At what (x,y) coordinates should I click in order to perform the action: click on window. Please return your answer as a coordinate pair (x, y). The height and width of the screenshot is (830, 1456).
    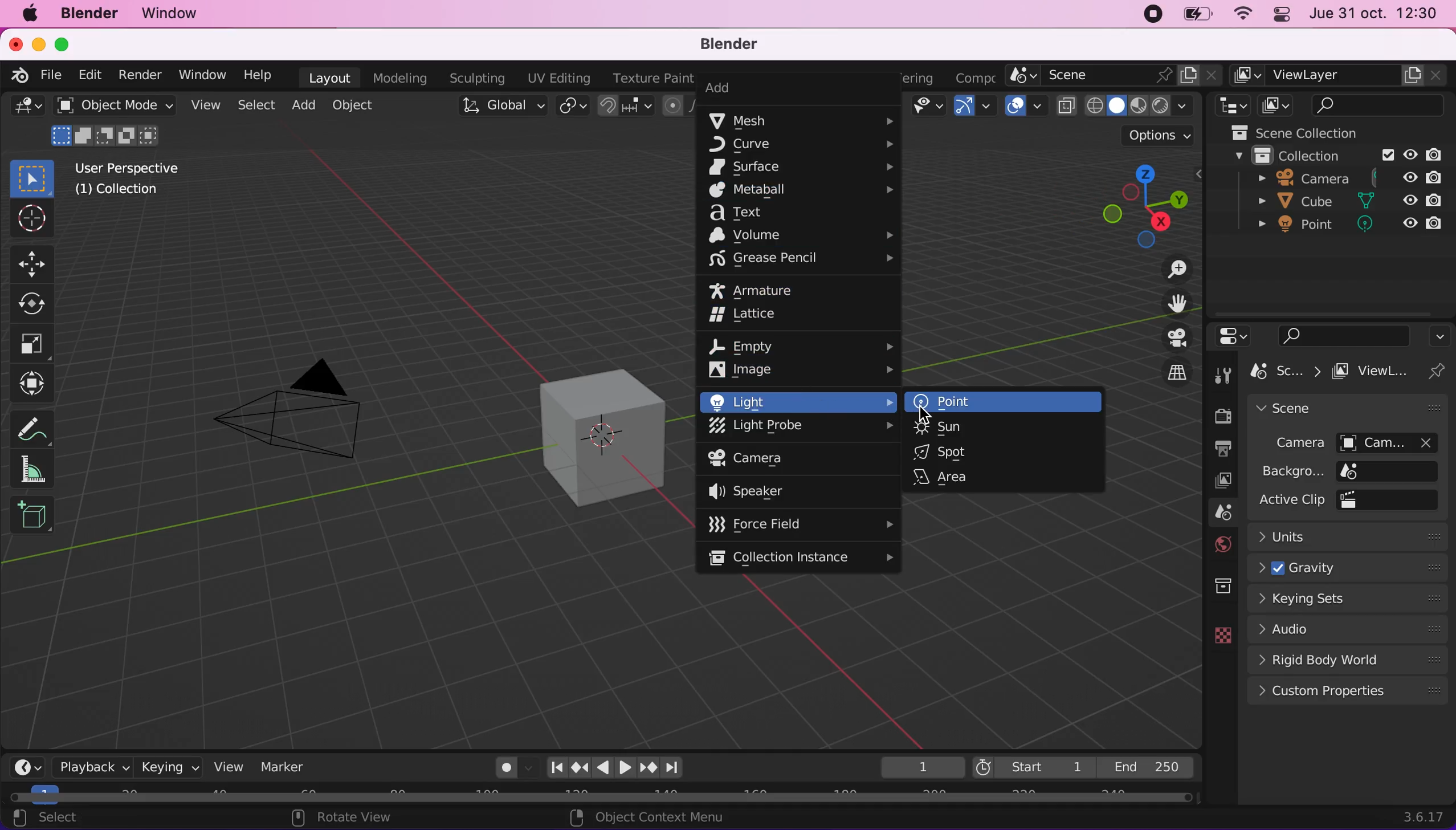
    Looking at the image, I should click on (182, 15).